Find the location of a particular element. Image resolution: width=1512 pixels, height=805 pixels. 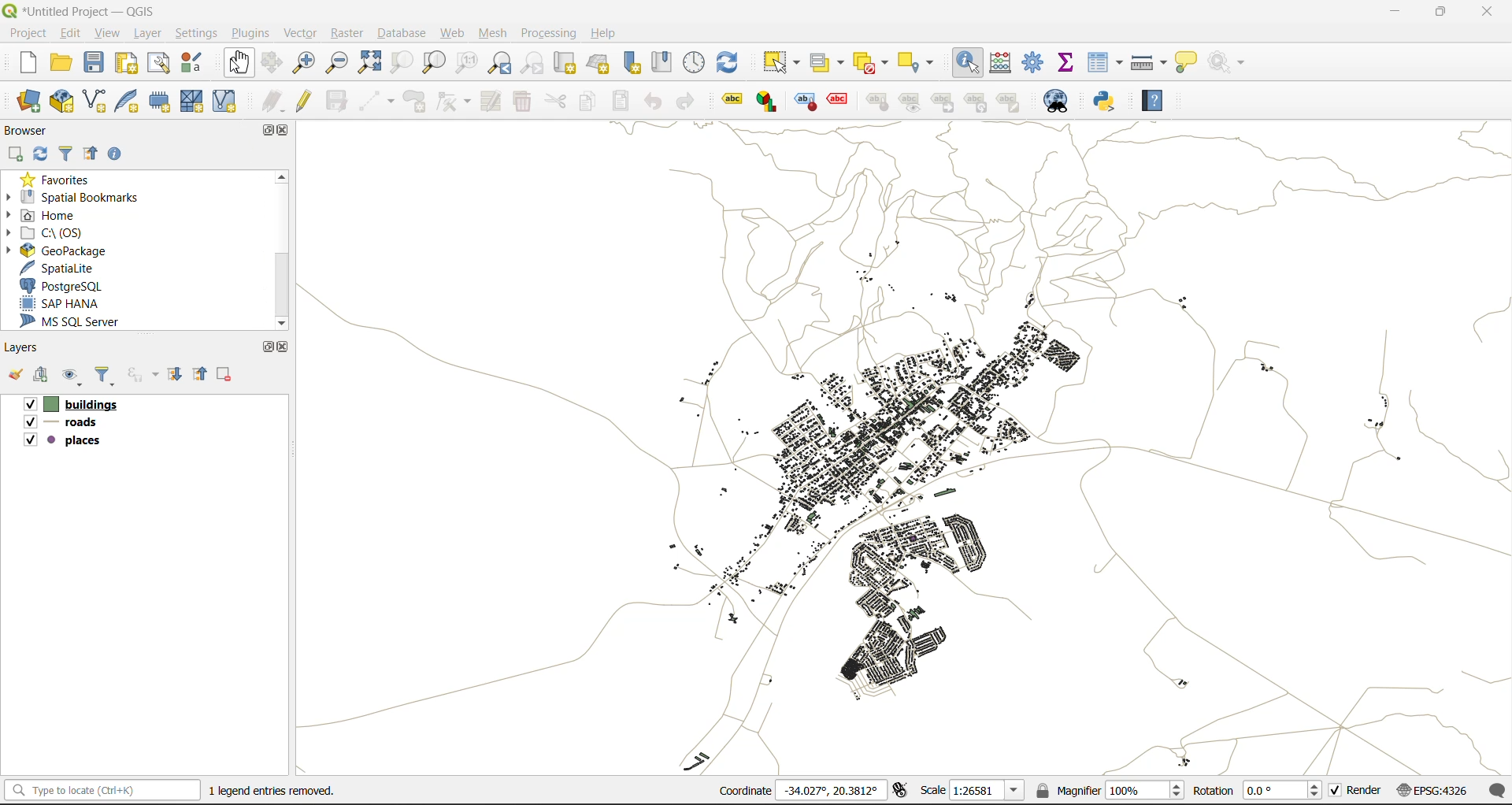

maximize is located at coordinates (1441, 15).